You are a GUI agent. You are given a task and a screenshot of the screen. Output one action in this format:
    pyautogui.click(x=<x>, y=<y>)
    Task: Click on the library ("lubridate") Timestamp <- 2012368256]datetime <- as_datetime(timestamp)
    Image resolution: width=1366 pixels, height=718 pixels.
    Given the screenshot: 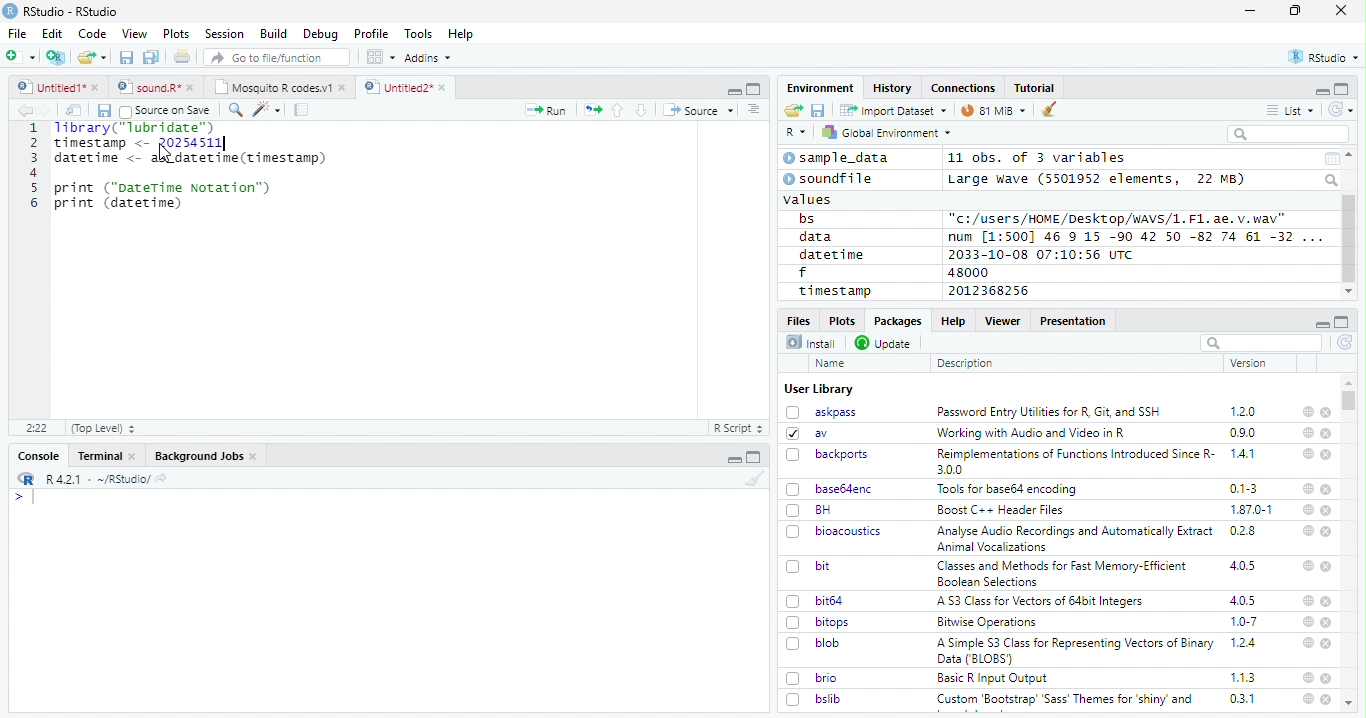 What is the action you would take?
    pyautogui.click(x=188, y=144)
    